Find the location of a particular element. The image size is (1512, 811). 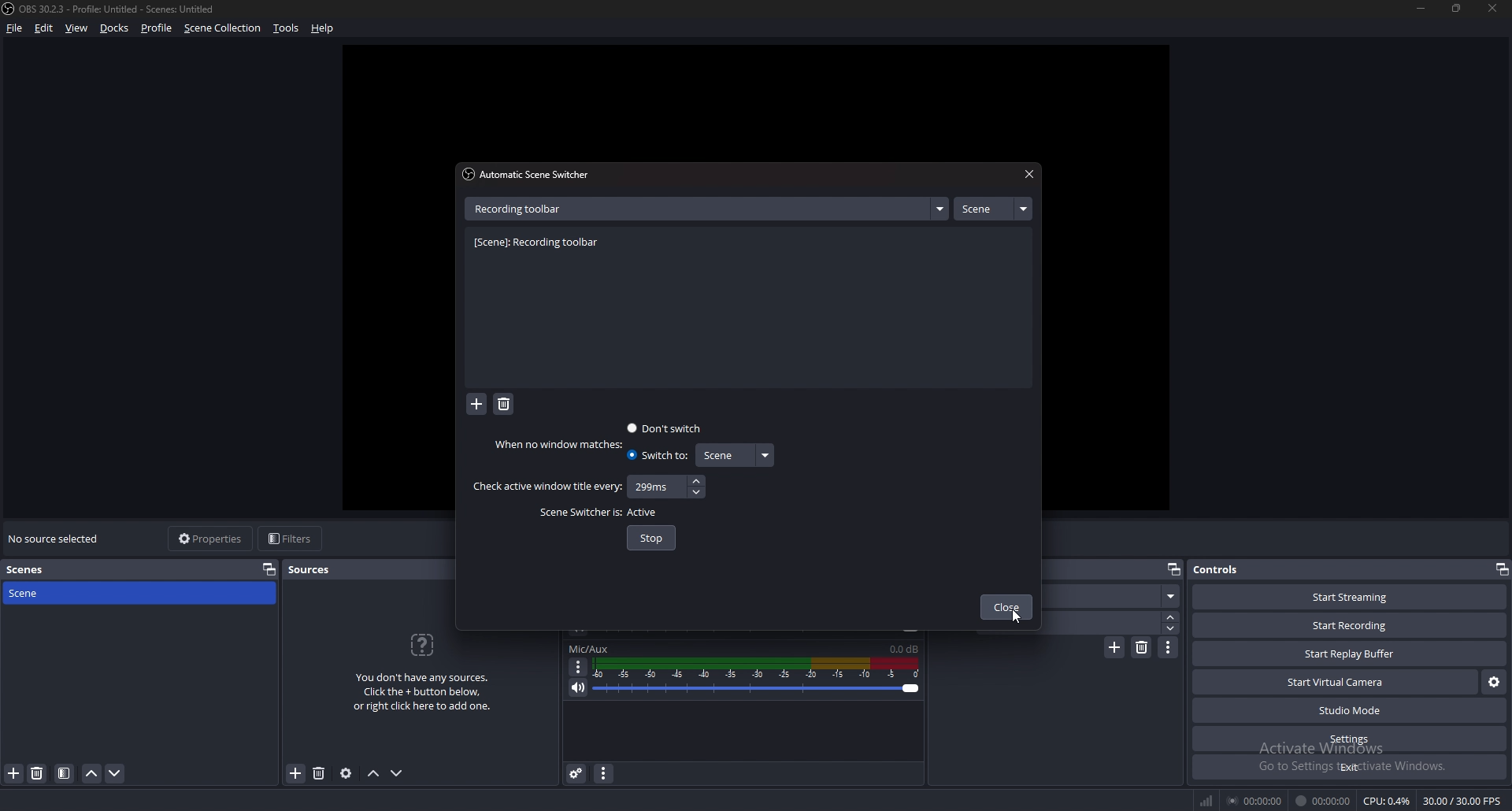

profile is located at coordinates (157, 28).